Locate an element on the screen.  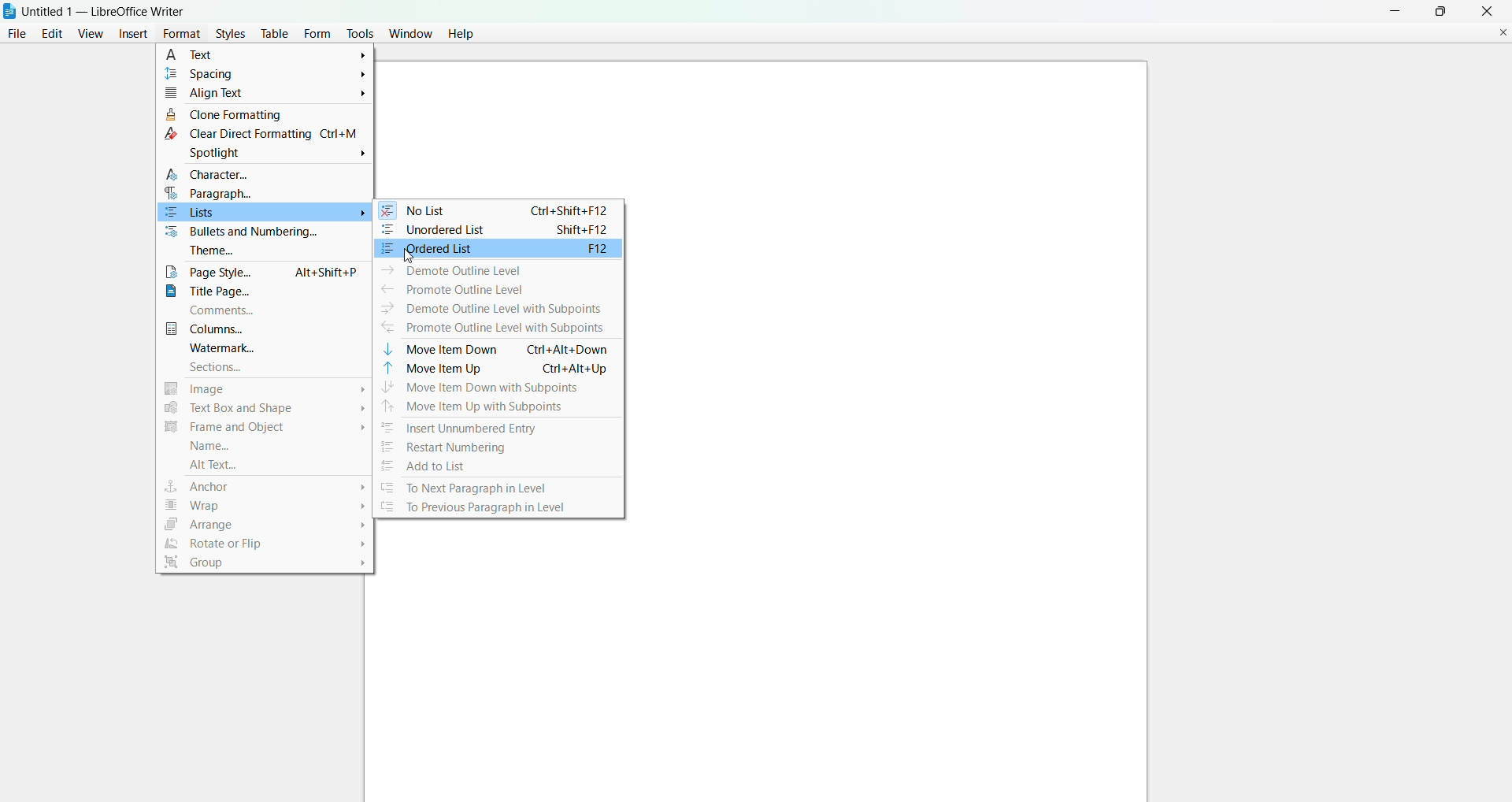
unordered list Shift+F12 is located at coordinates (498, 232).